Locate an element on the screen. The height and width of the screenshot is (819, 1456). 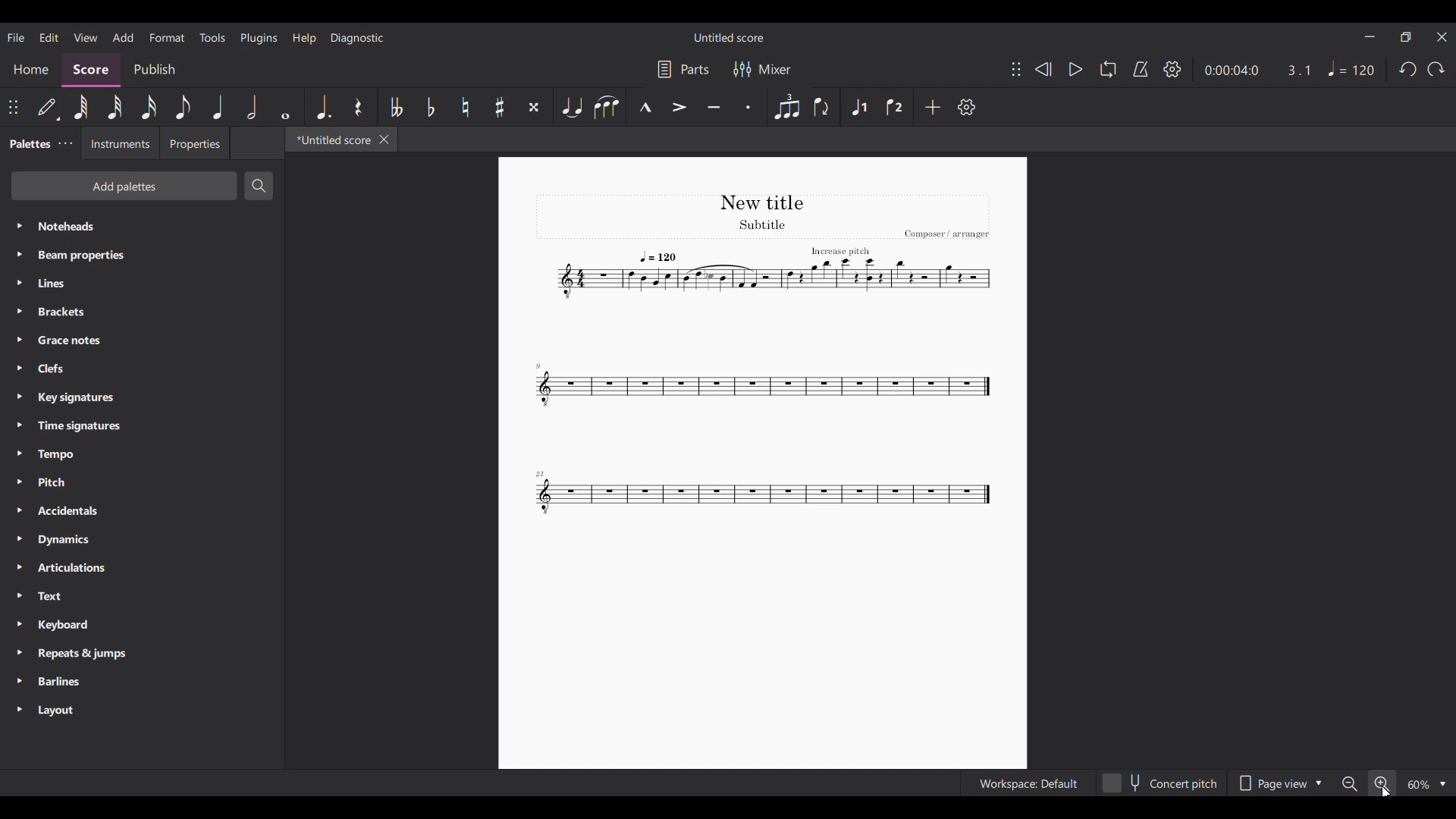
Slur is located at coordinates (606, 107).